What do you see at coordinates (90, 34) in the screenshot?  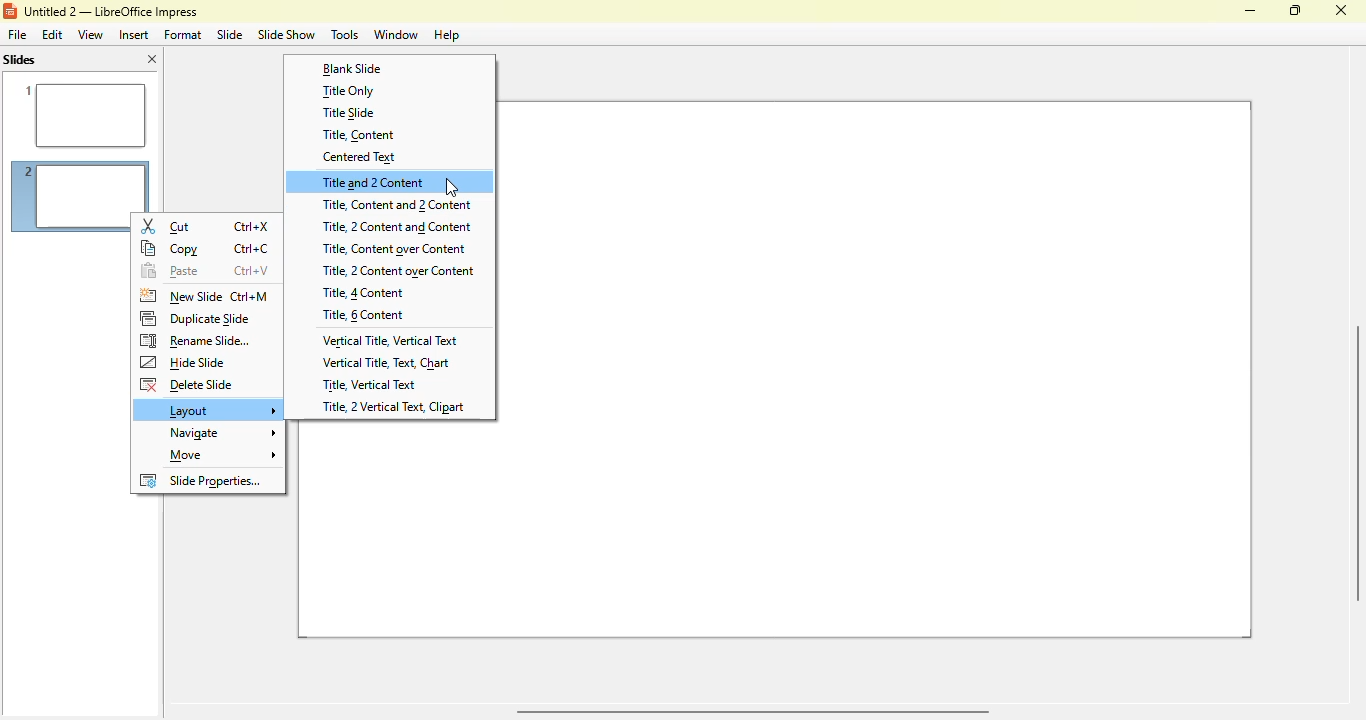 I see `view` at bounding box center [90, 34].